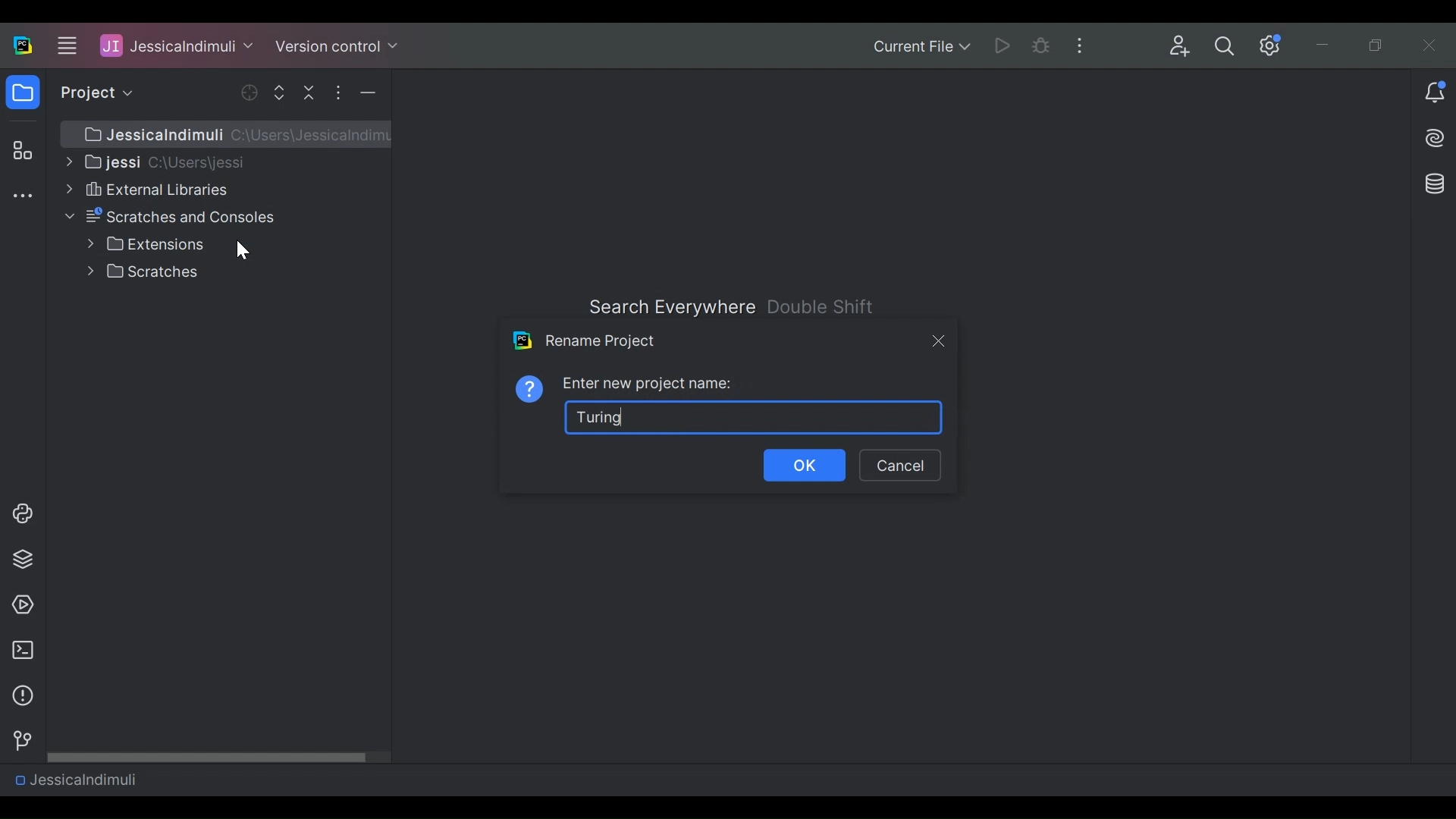  What do you see at coordinates (337, 93) in the screenshot?
I see `Options` at bounding box center [337, 93].